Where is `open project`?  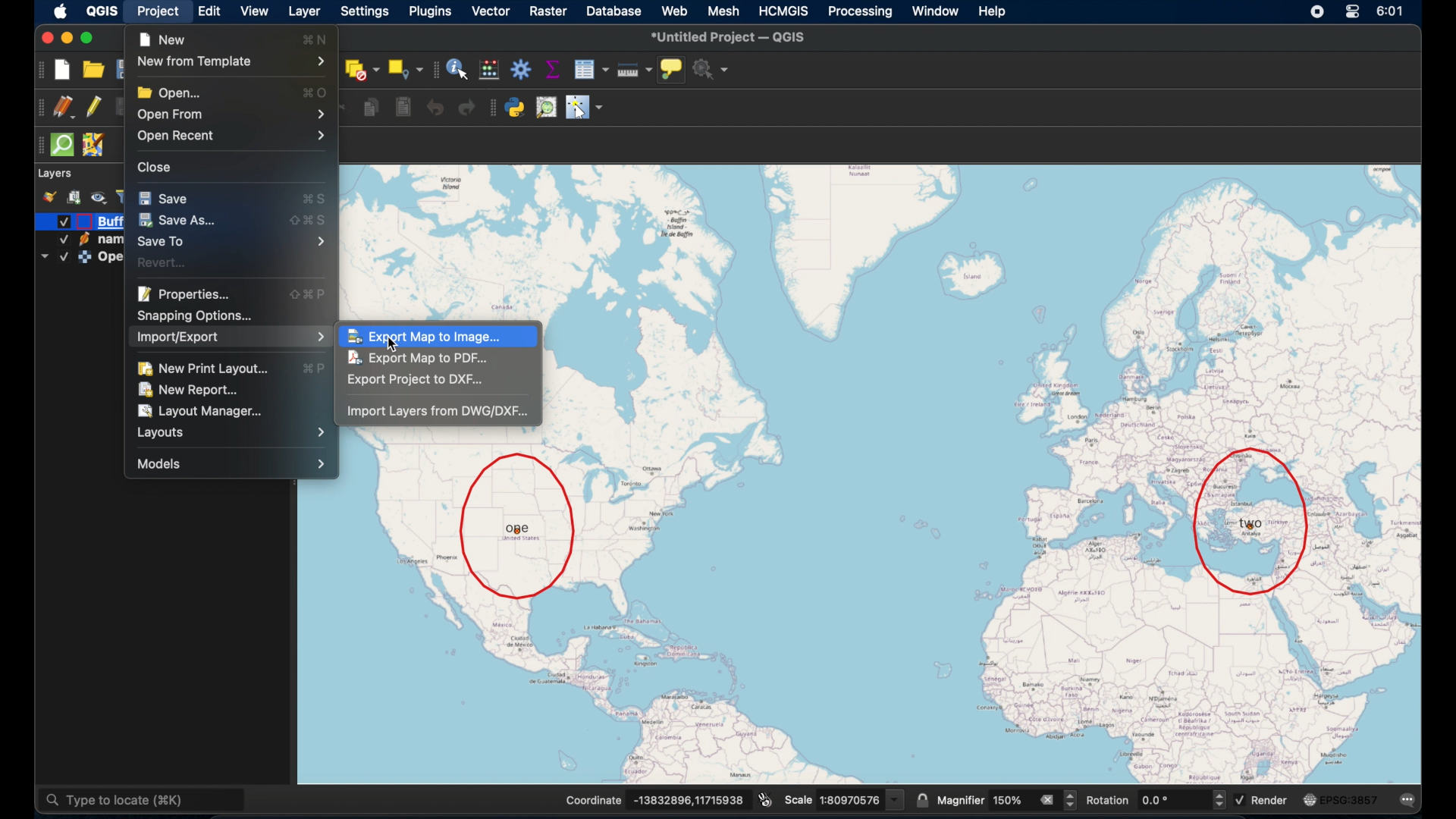
open project is located at coordinates (97, 67).